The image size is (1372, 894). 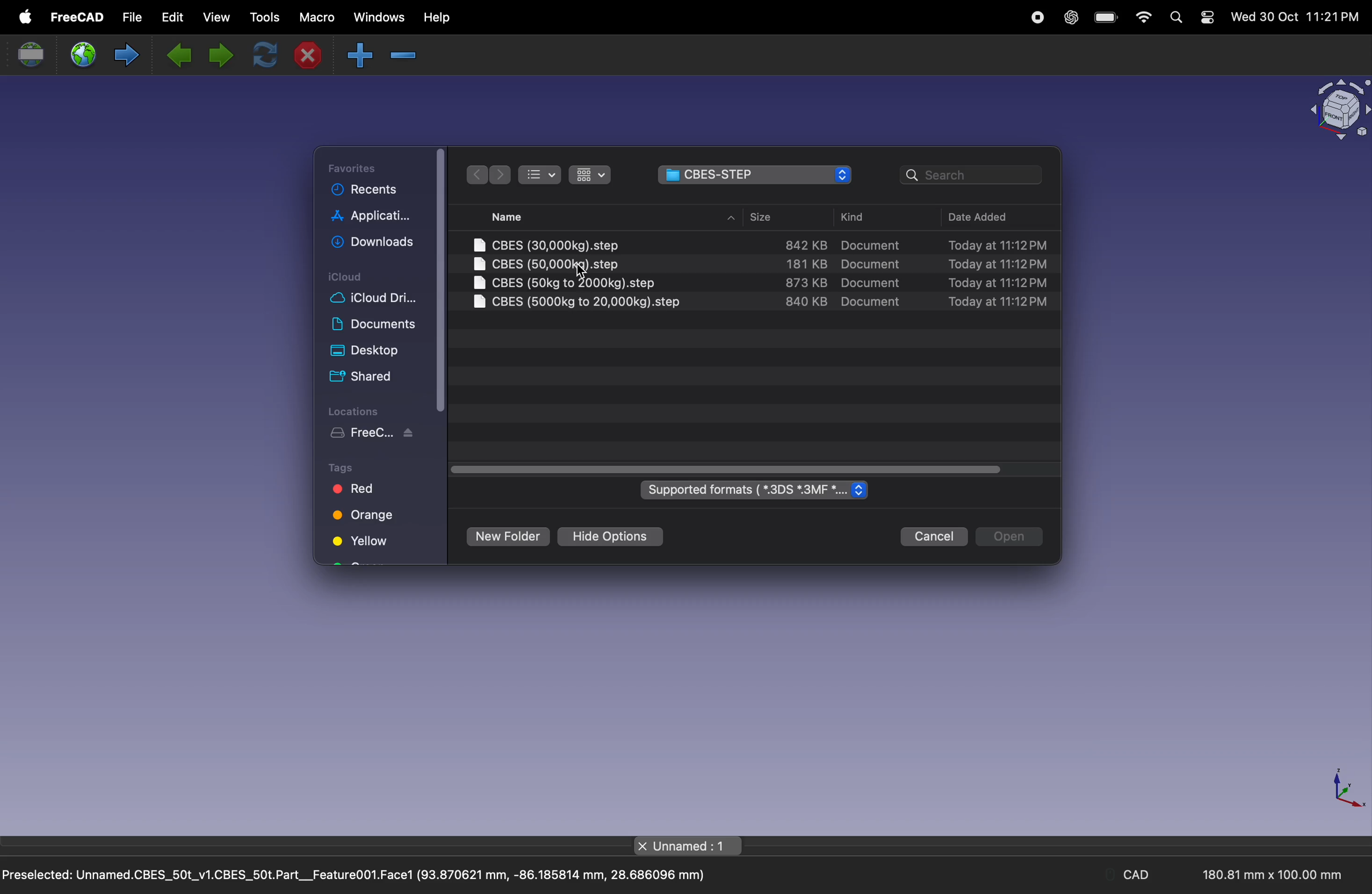 What do you see at coordinates (1137, 876) in the screenshot?
I see `CAD` at bounding box center [1137, 876].